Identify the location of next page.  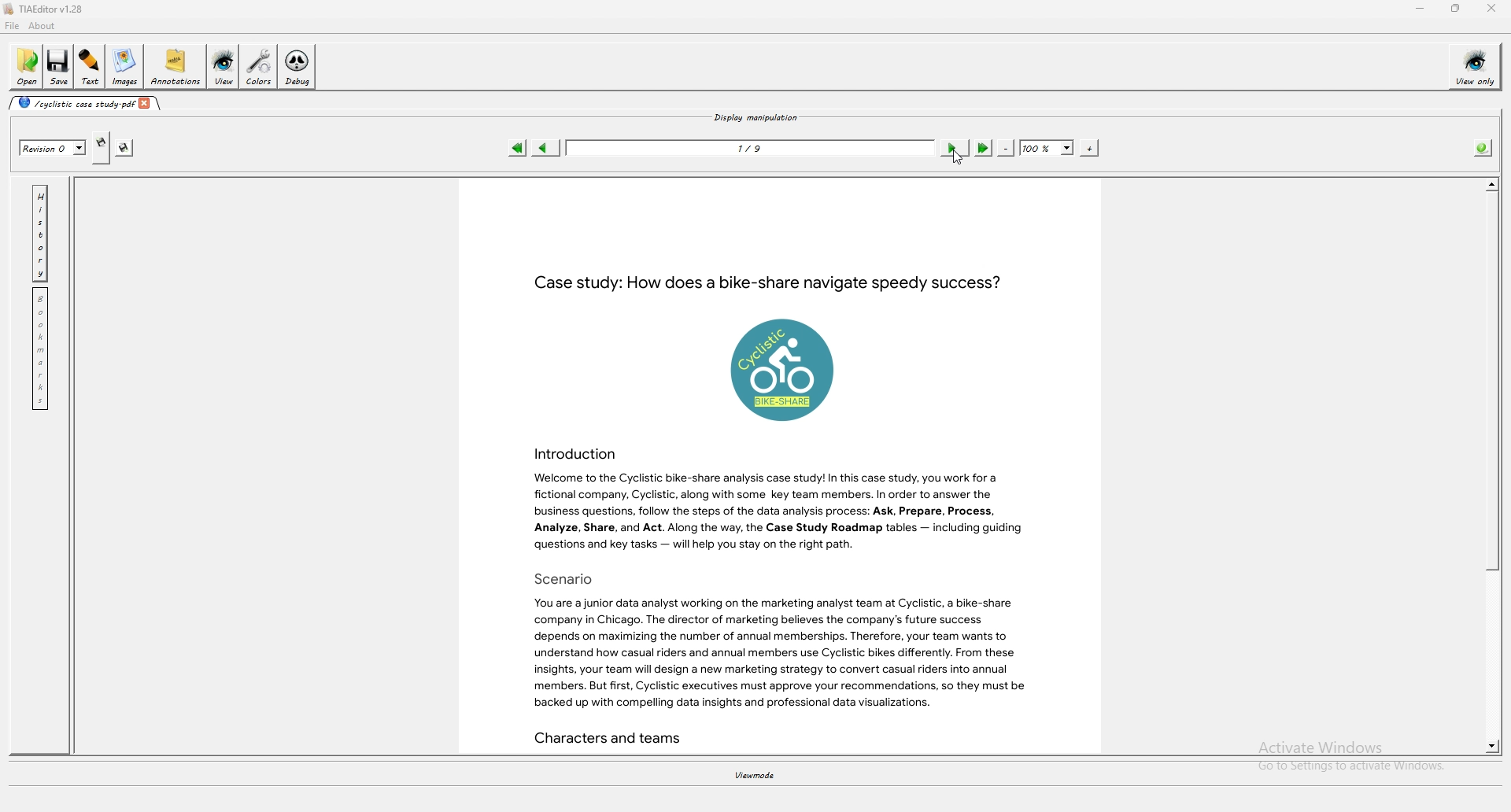
(954, 147).